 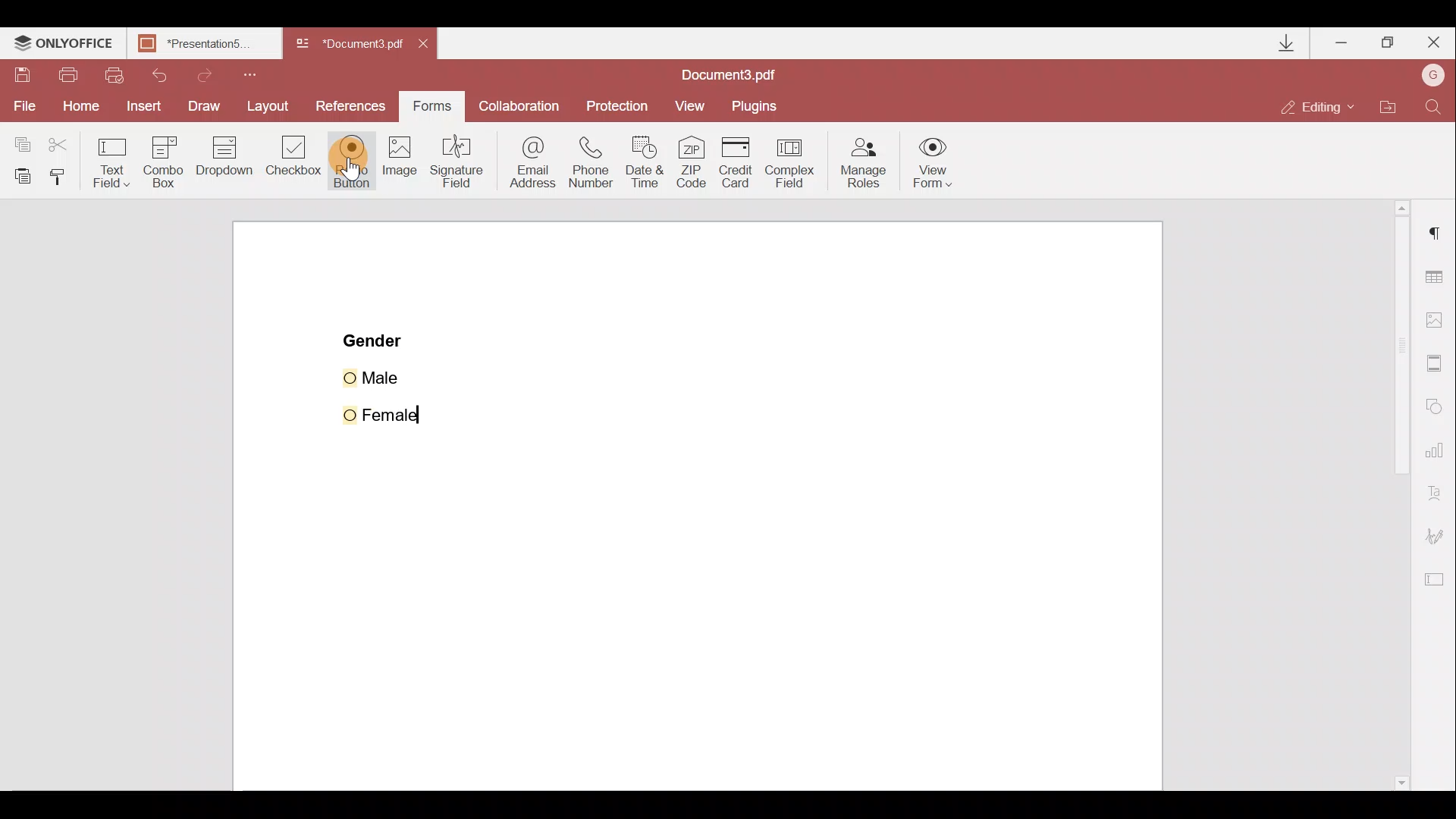 What do you see at coordinates (1438, 408) in the screenshot?
I see `Shapes settings` at bounding box center [1438, 408].